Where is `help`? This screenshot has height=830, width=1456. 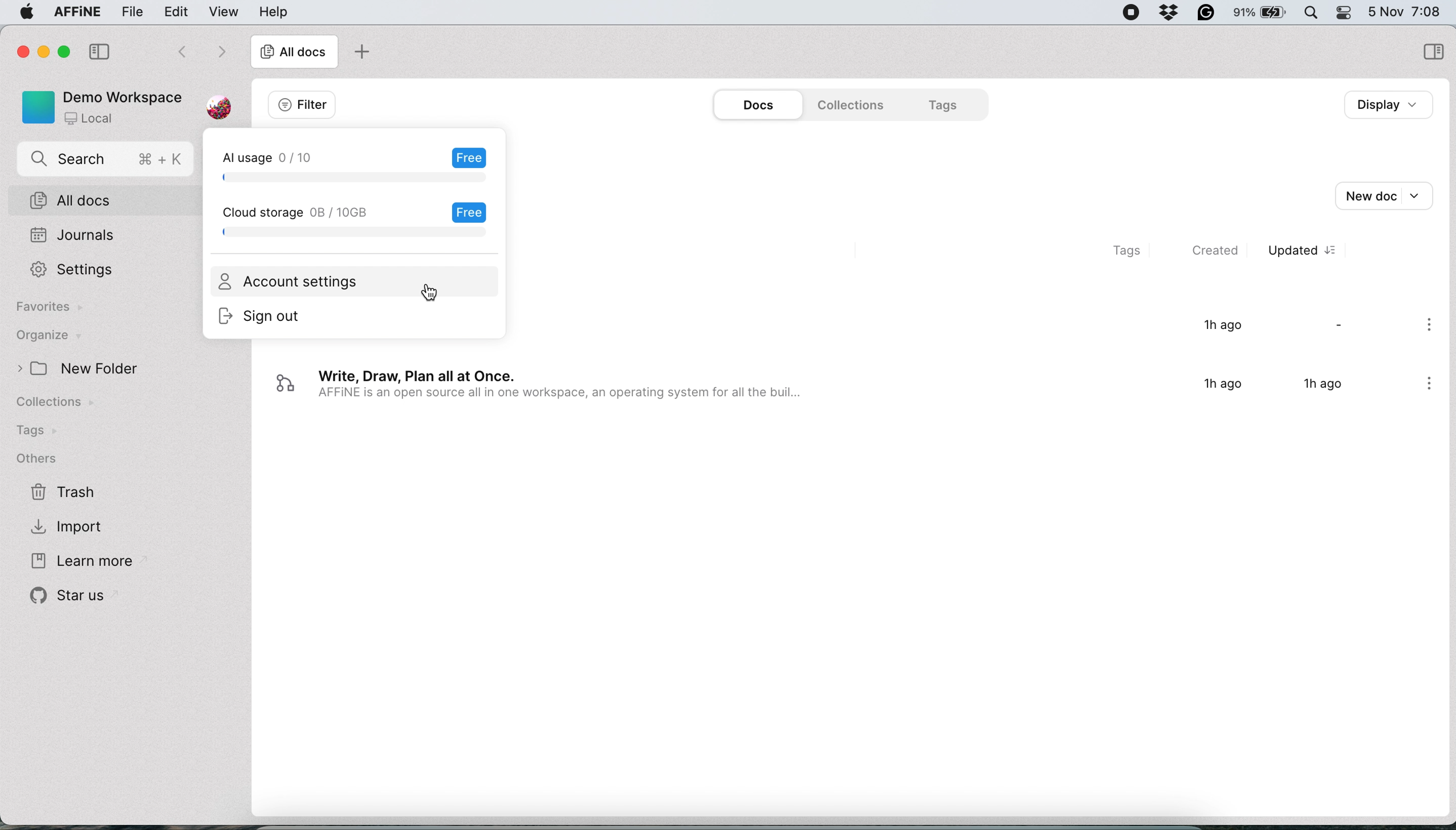
help is located at coordinates (273, 11).